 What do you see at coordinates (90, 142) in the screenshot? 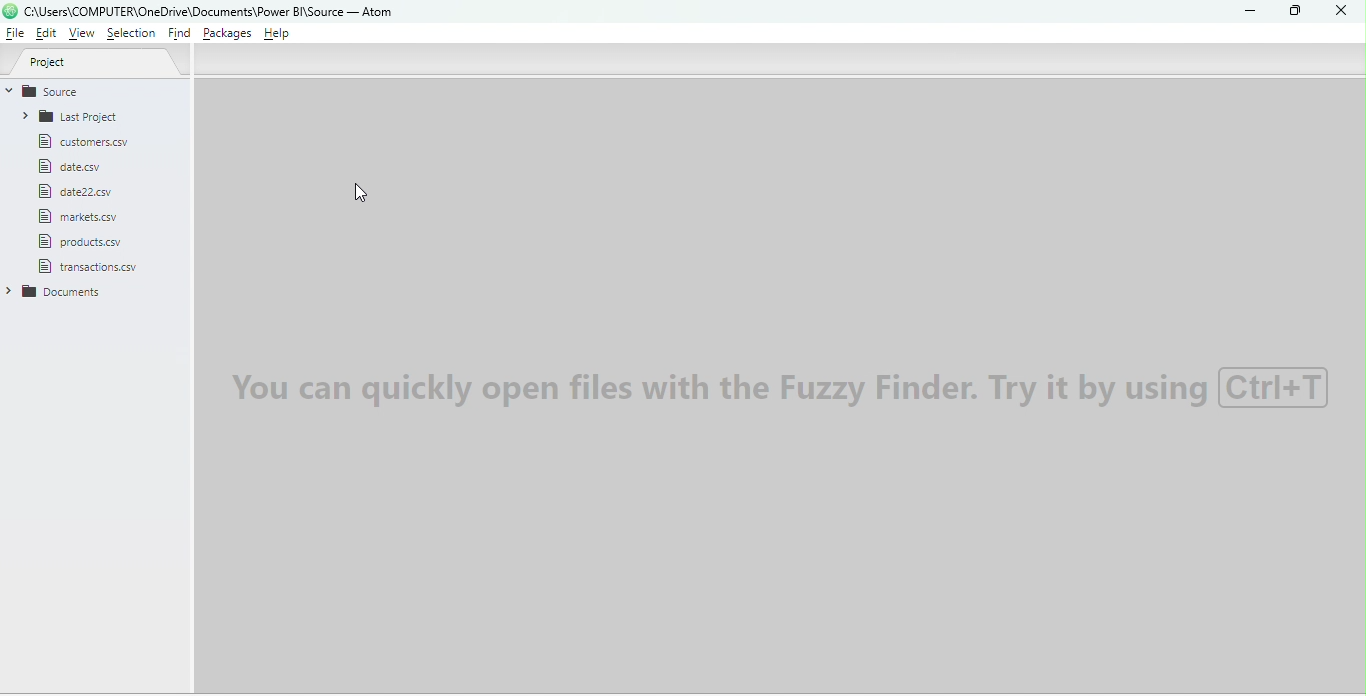
I see `File` at bounding box center [90, 142].